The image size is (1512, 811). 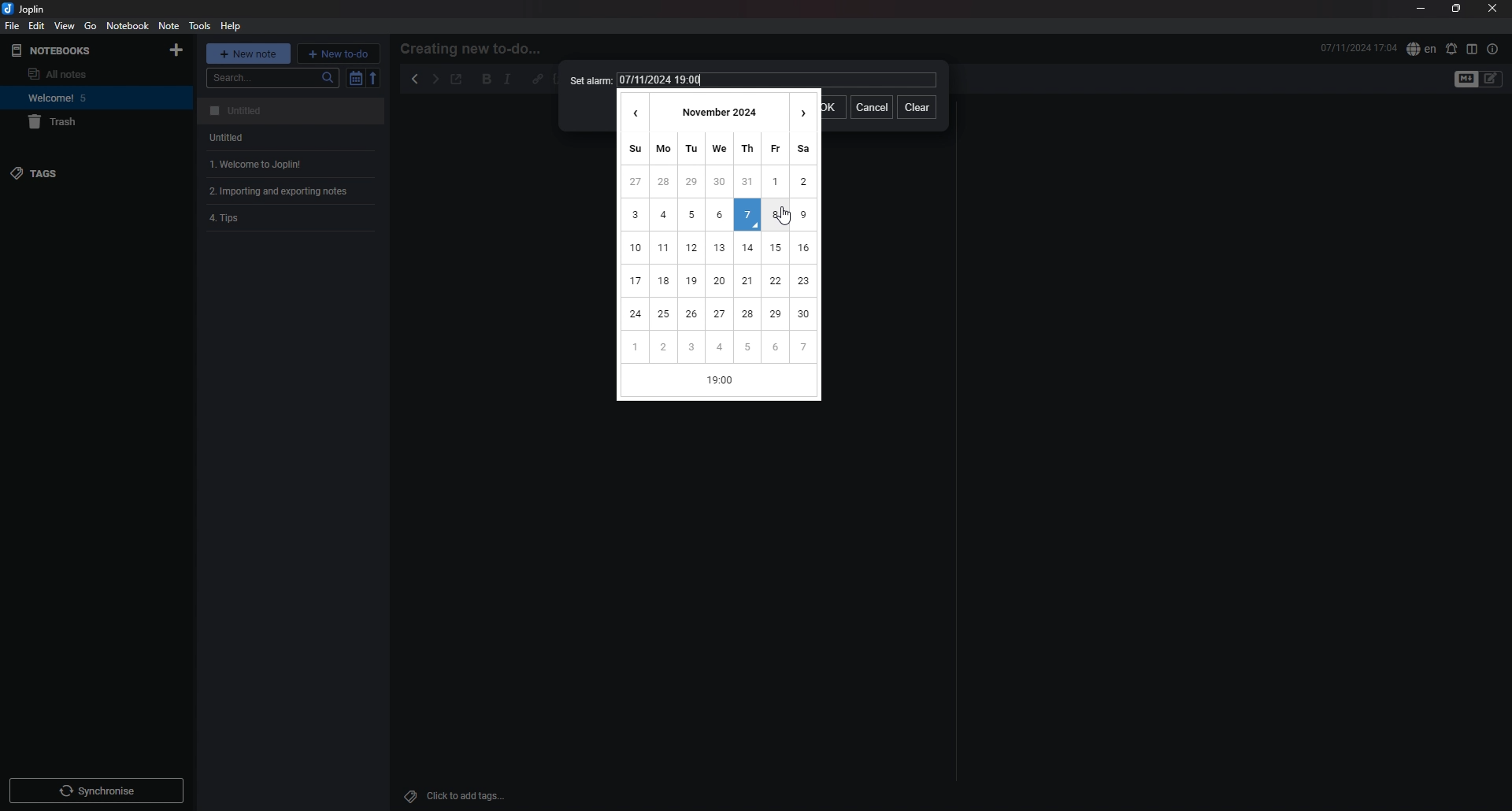 What do you see at coordinates (294, 111) in the screenshot?
I see `note` at bounding box center [294, 111].